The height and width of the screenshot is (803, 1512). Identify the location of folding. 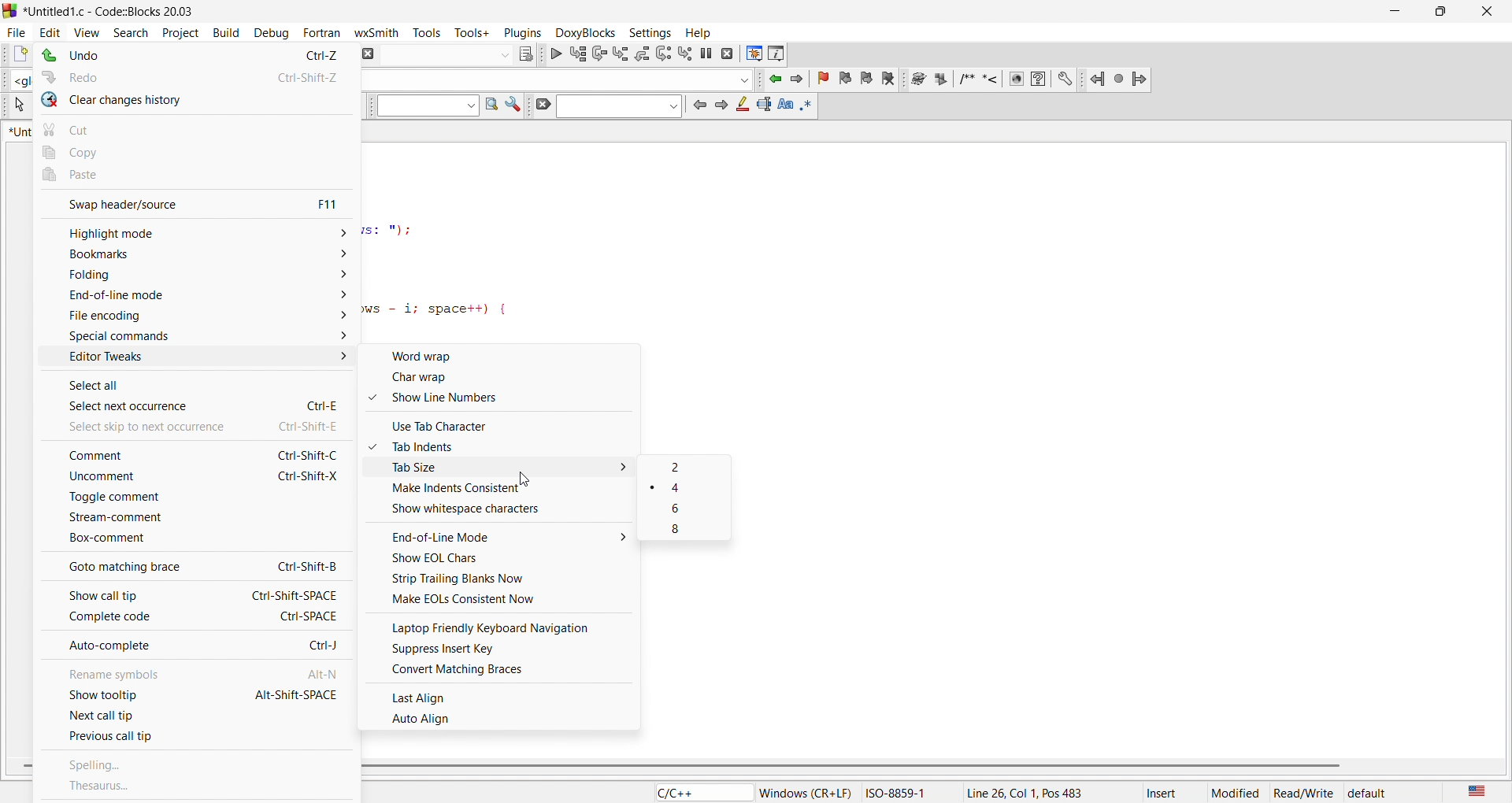
(194, 280).